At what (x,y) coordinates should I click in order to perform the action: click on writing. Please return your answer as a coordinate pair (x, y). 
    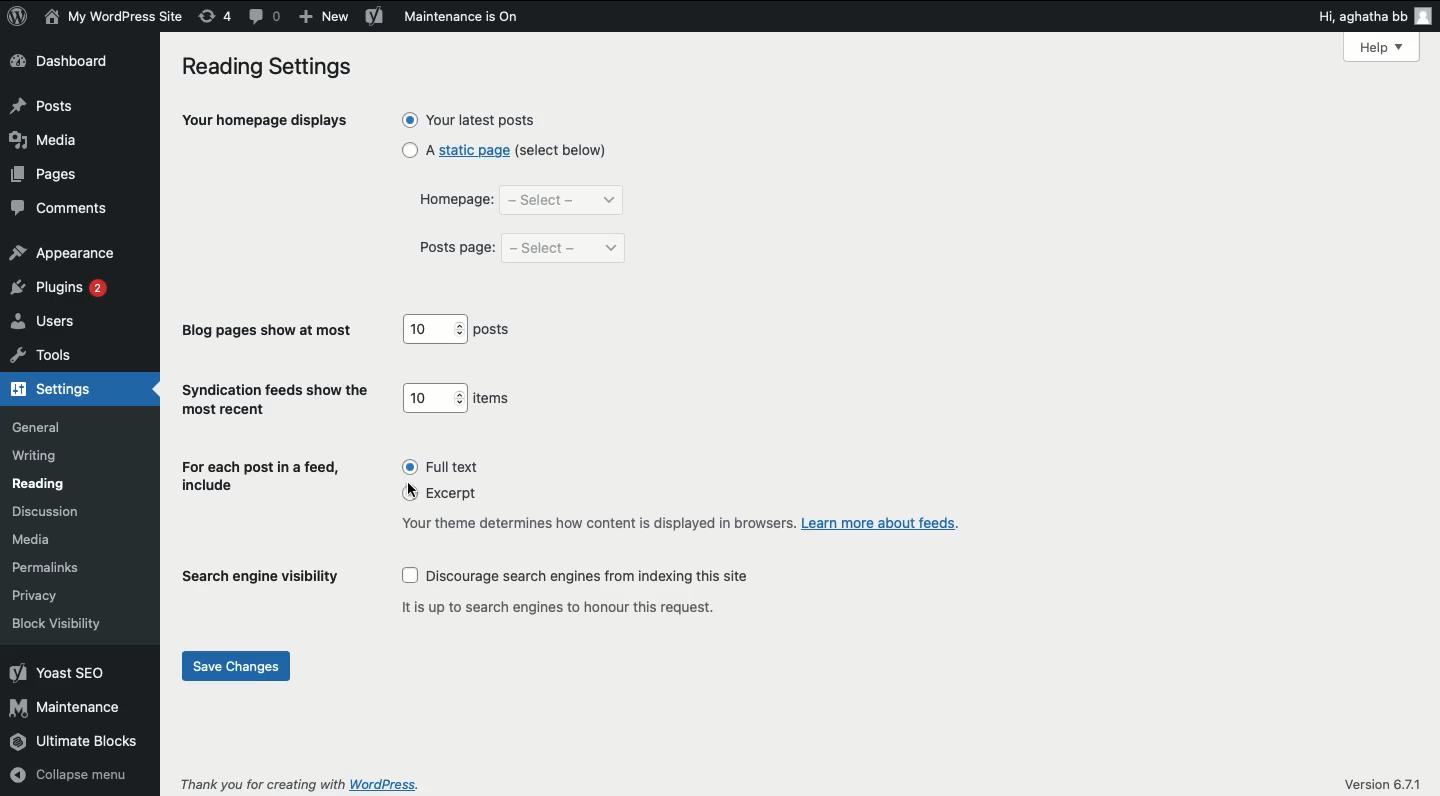
    Looking at the image, I should click on (36, 455).